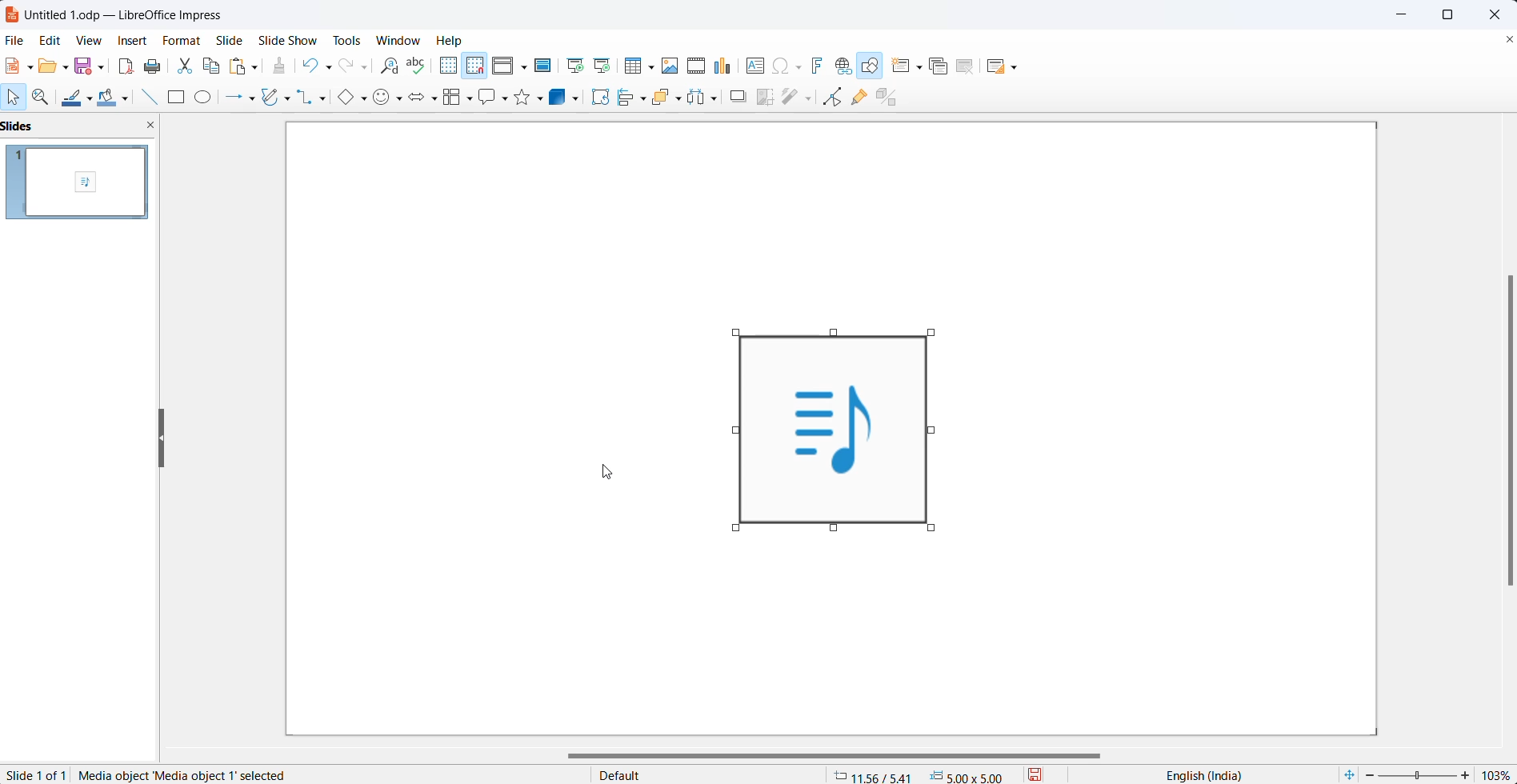  Describe the element at coordinates (230, 38) in the screenshot. I see `slide` at that location.